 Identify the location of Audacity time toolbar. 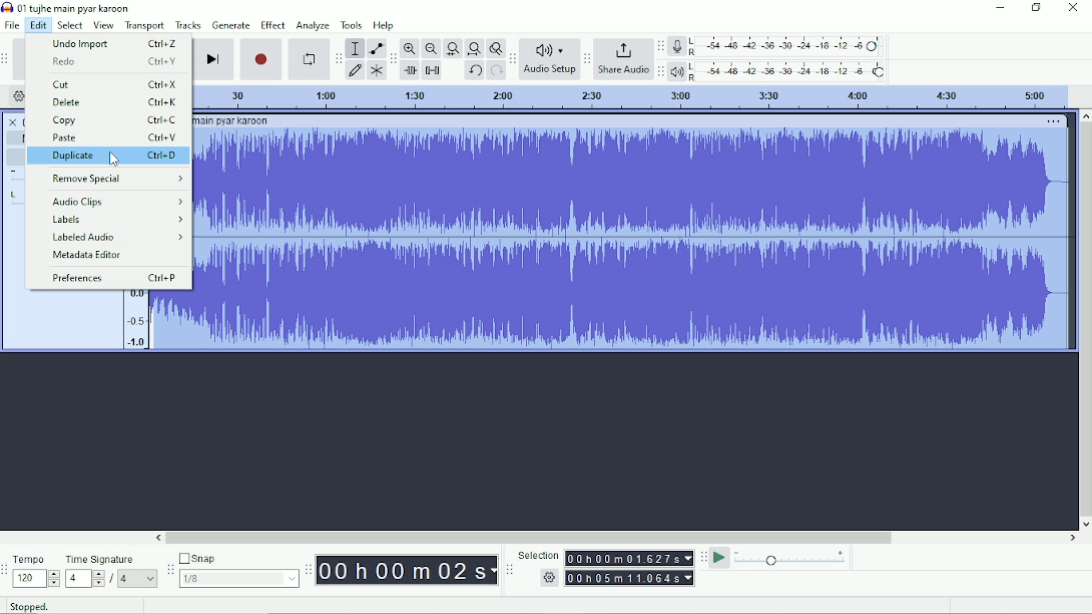
(308, 569).